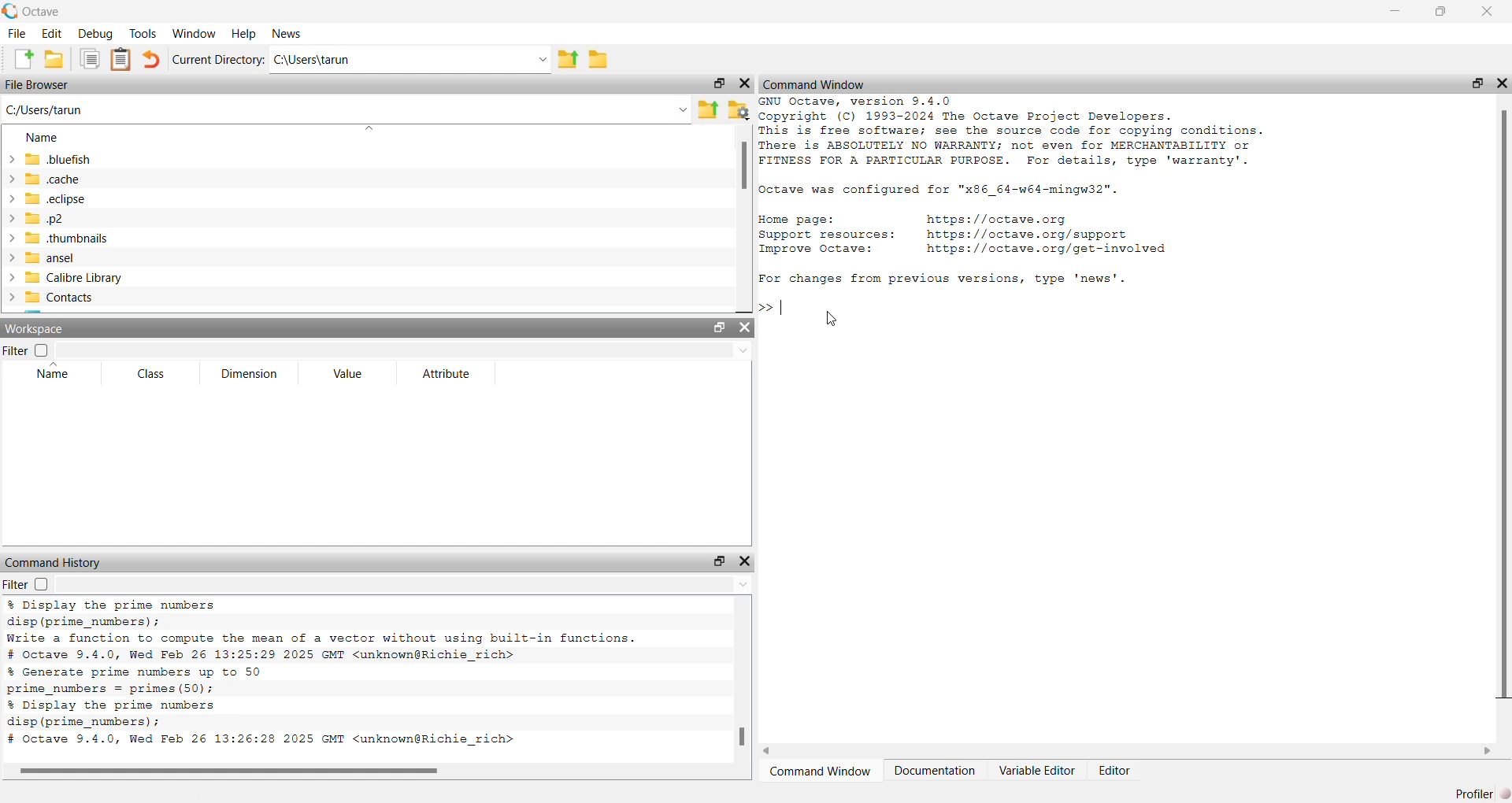  What do you see at coordinates (745, 561) in the screenshot?
I see `close` at bounding box center [745, 561].